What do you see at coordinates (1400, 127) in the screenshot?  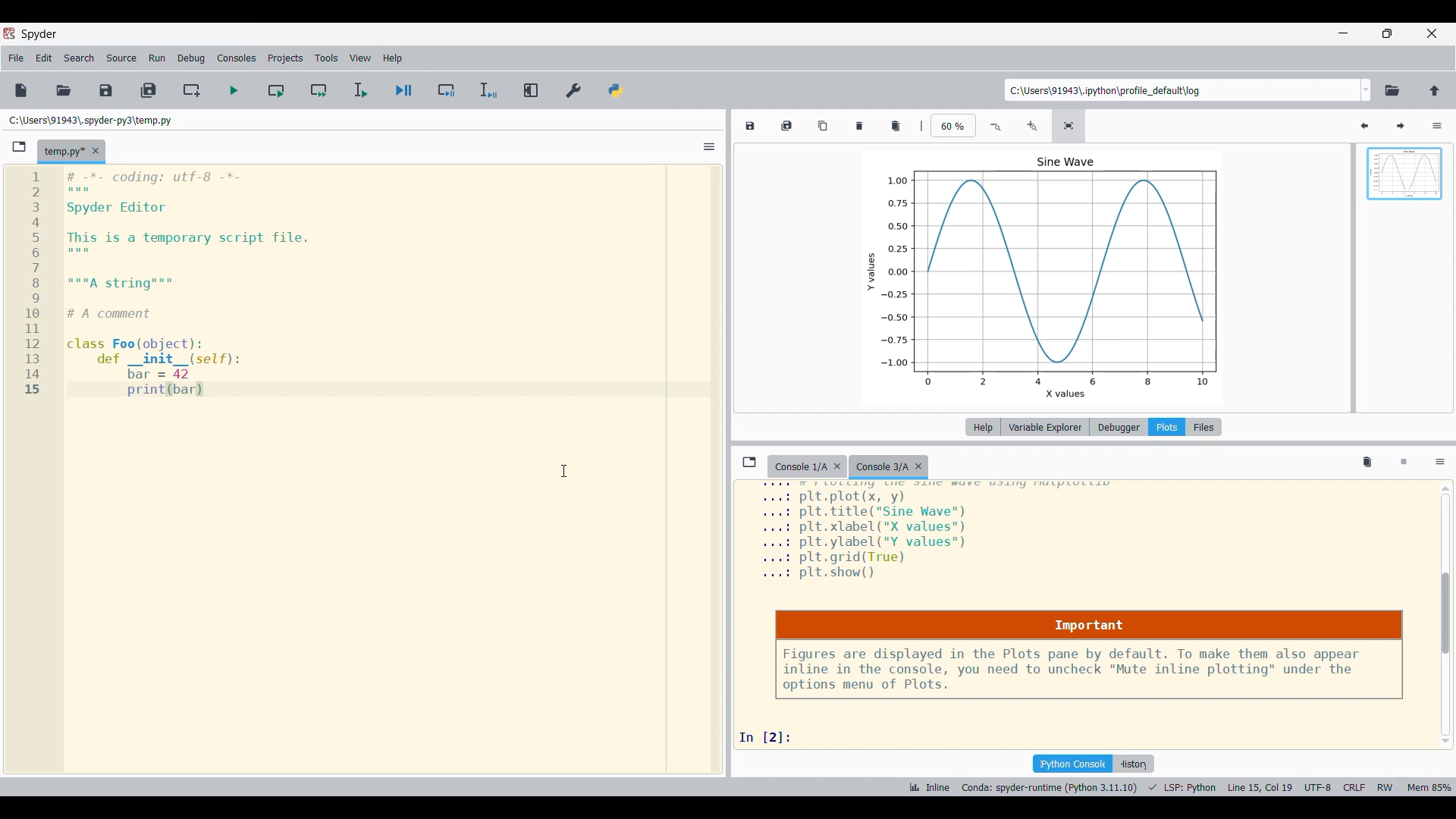 I see `Next plot` at bounding box center [1400, 127].